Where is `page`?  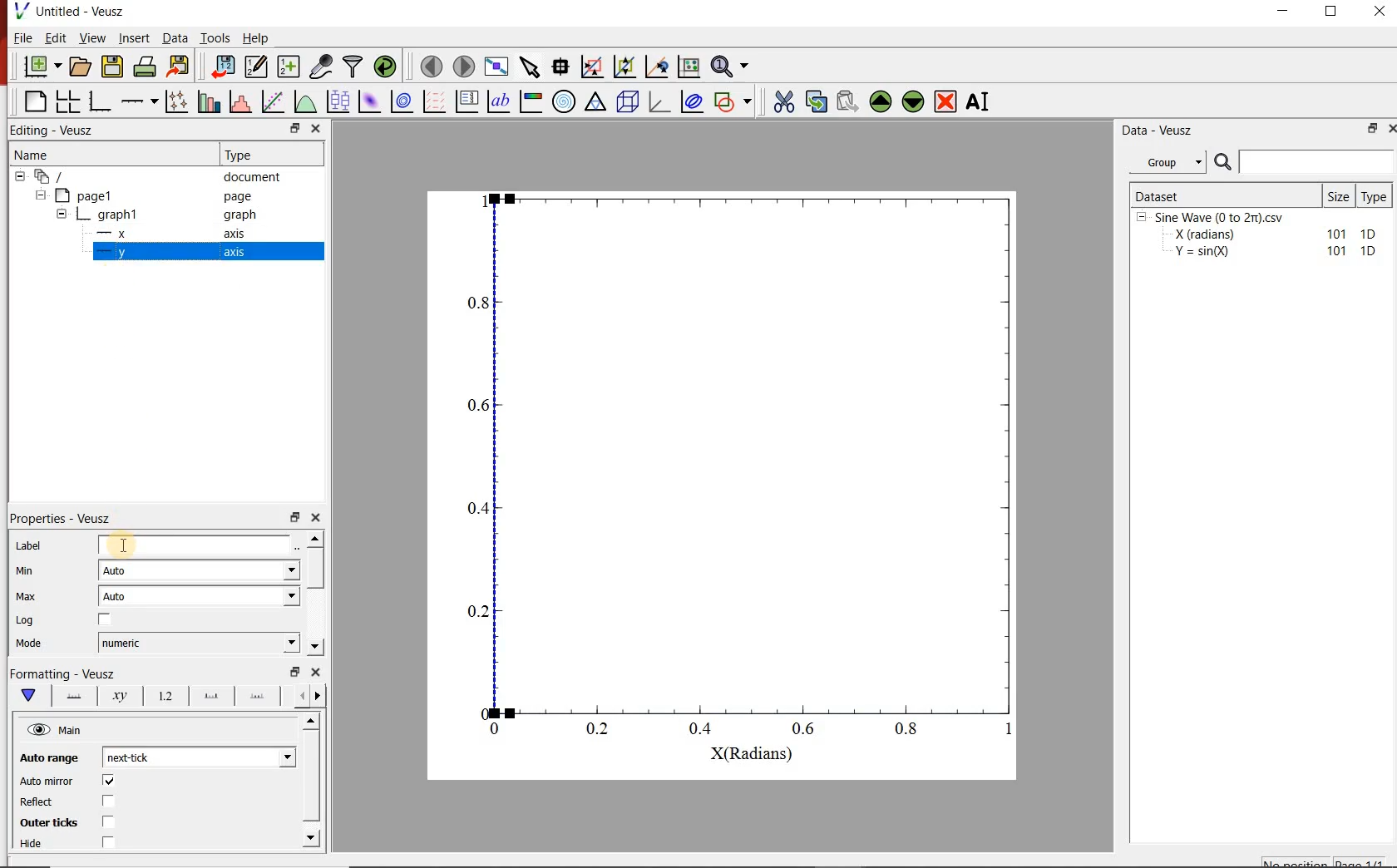
page is located at coordinates (238, 197).